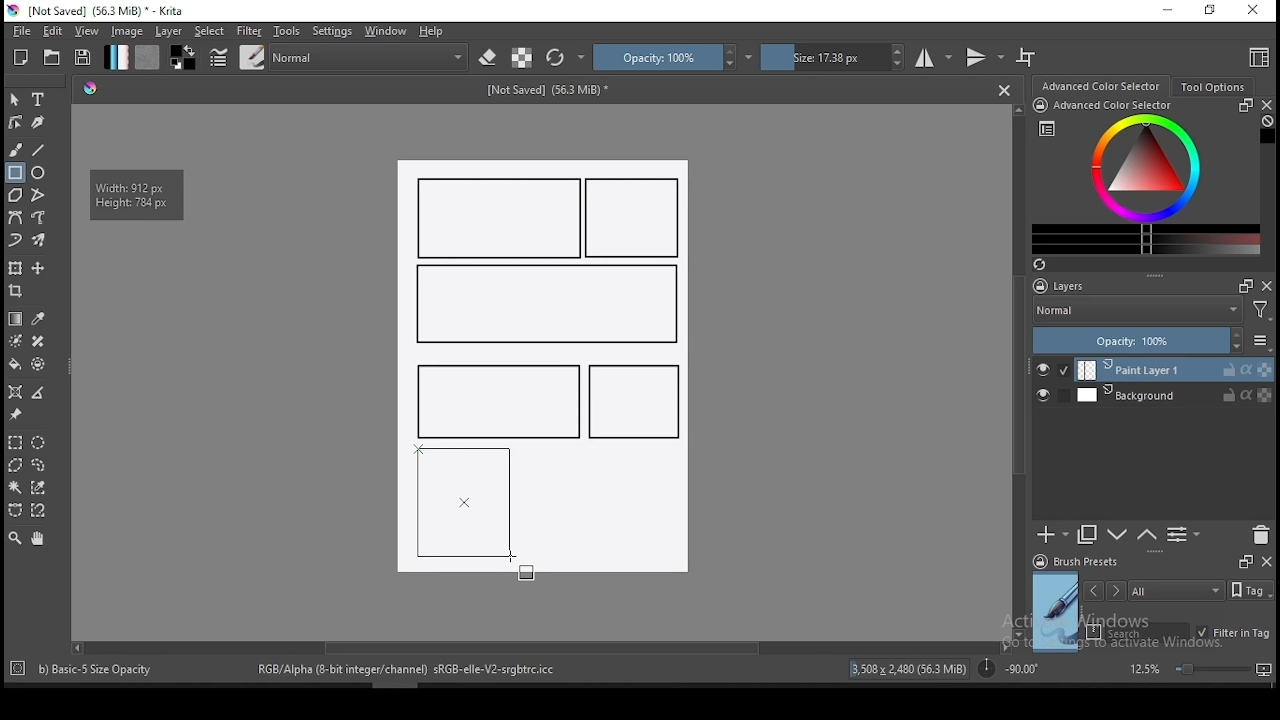 The height and width of the screenshot is (720, 1280). Describe the element at coordinates (1266, 560) in the screenshot. I see `close docker` at that location.